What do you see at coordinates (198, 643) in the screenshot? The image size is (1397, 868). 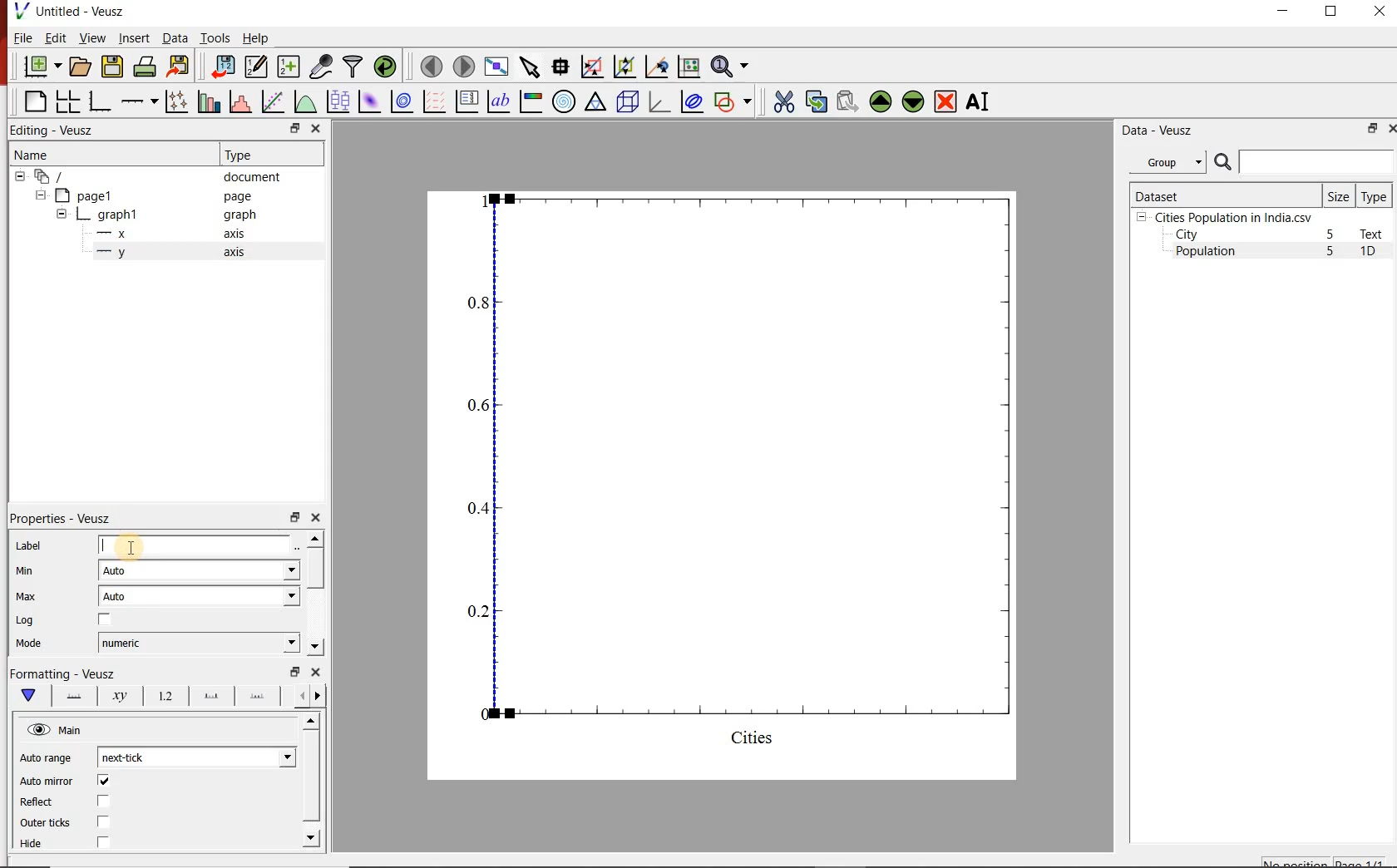 I see `numeric` at bounding box center [198, 643].